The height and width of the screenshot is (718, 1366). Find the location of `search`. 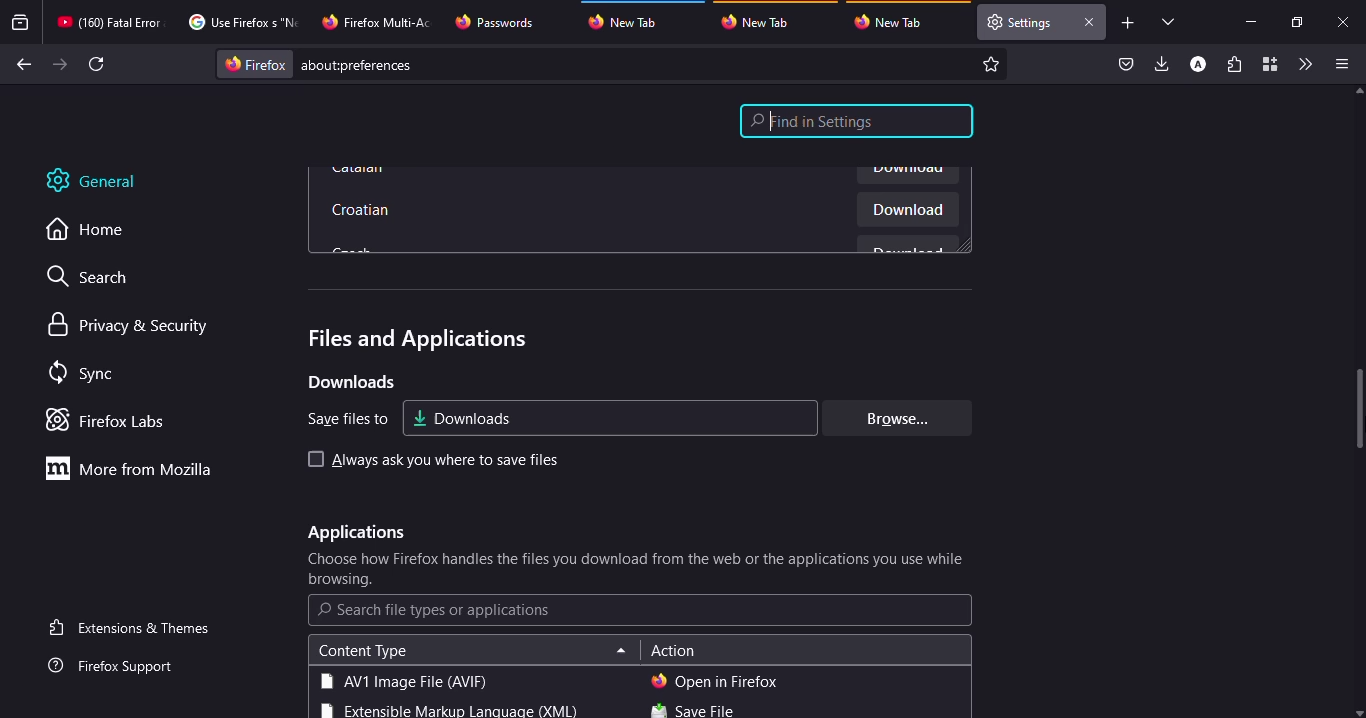

search is located at coordinates (97, 279).